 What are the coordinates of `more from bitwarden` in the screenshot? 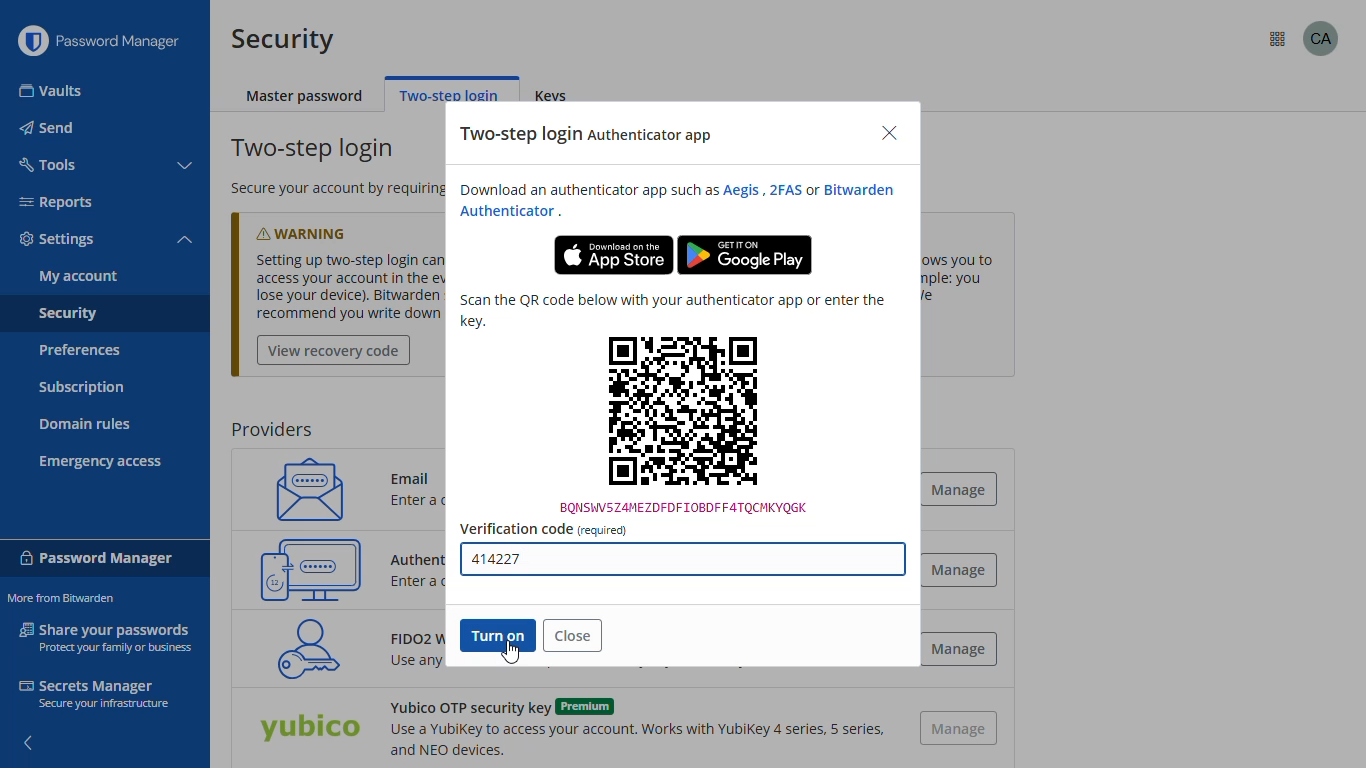 It's located at (60, 598).